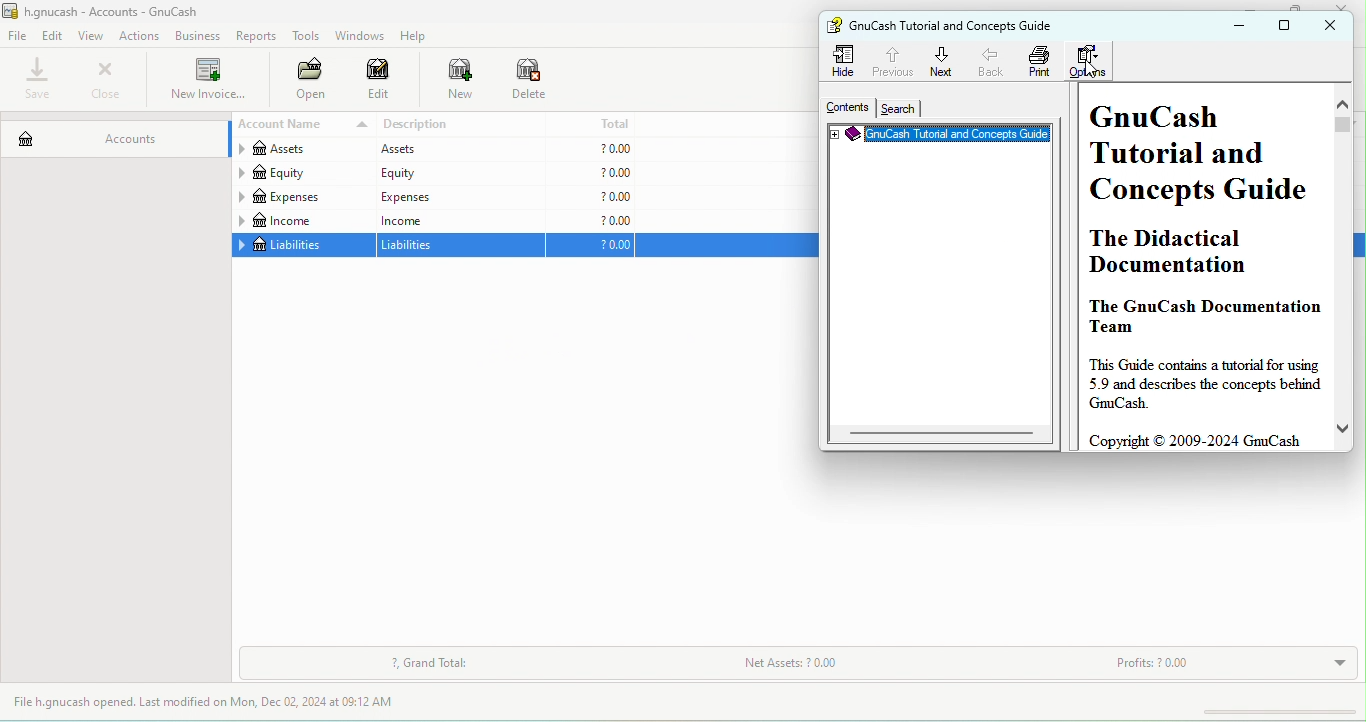  I want to click on view, so click(94, 36).